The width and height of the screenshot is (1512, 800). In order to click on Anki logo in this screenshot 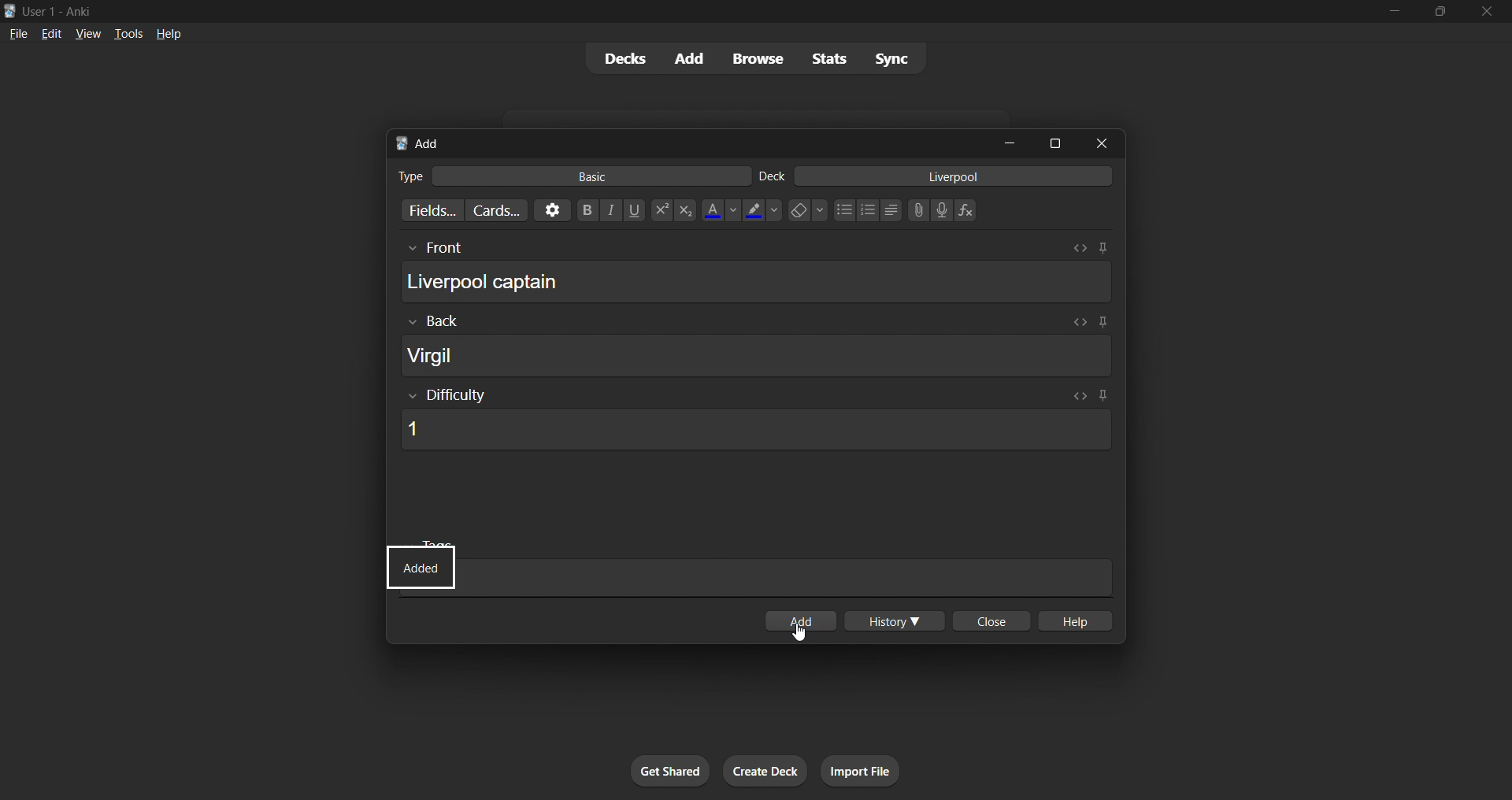, I will do `click(10, 11)`.